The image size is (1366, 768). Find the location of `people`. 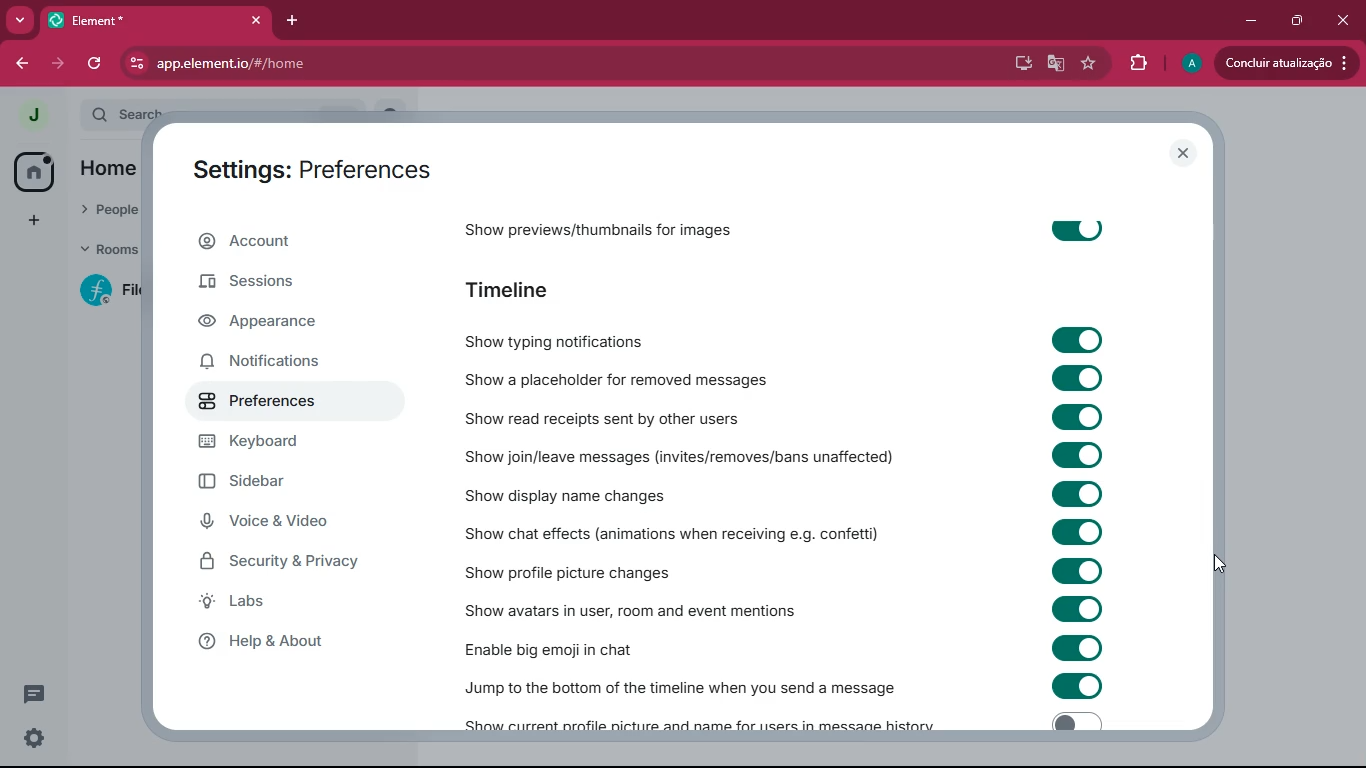

people is located at coordinates (107, 206).